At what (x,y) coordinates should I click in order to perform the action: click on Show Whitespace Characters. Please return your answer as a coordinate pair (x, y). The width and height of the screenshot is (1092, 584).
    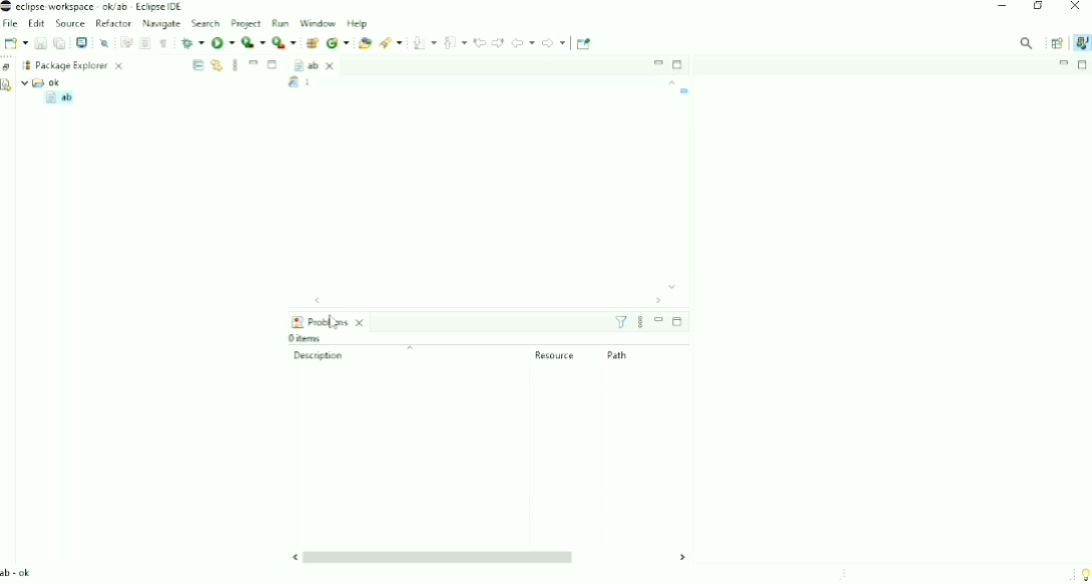
    Looking at the image, I should click on (164, 44).